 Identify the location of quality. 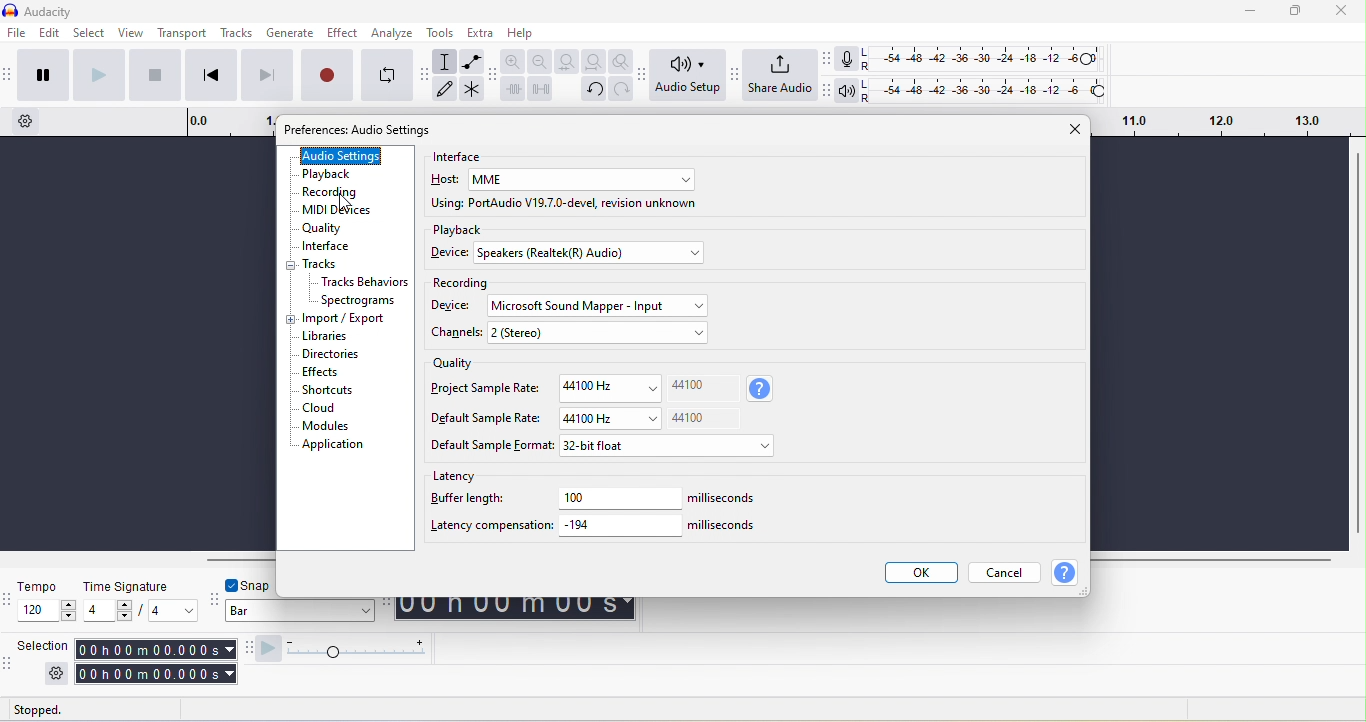
(455, 364).